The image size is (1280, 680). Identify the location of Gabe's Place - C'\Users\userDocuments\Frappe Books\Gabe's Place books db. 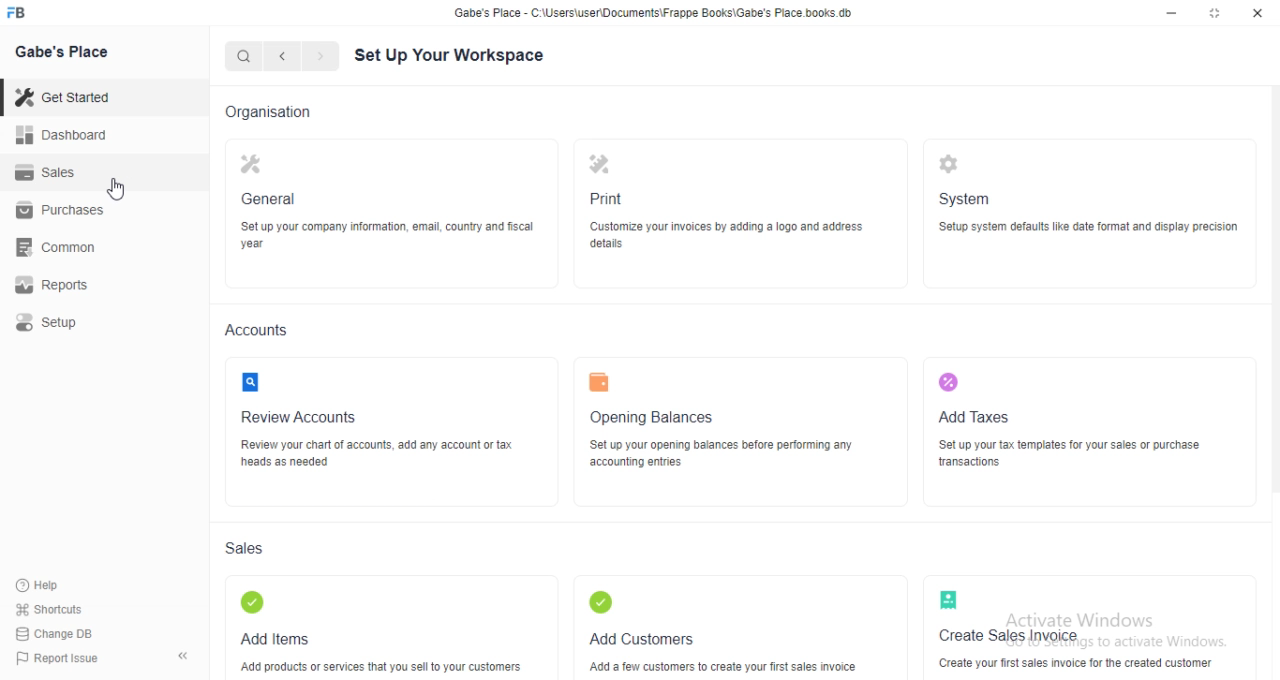
(657, 13).